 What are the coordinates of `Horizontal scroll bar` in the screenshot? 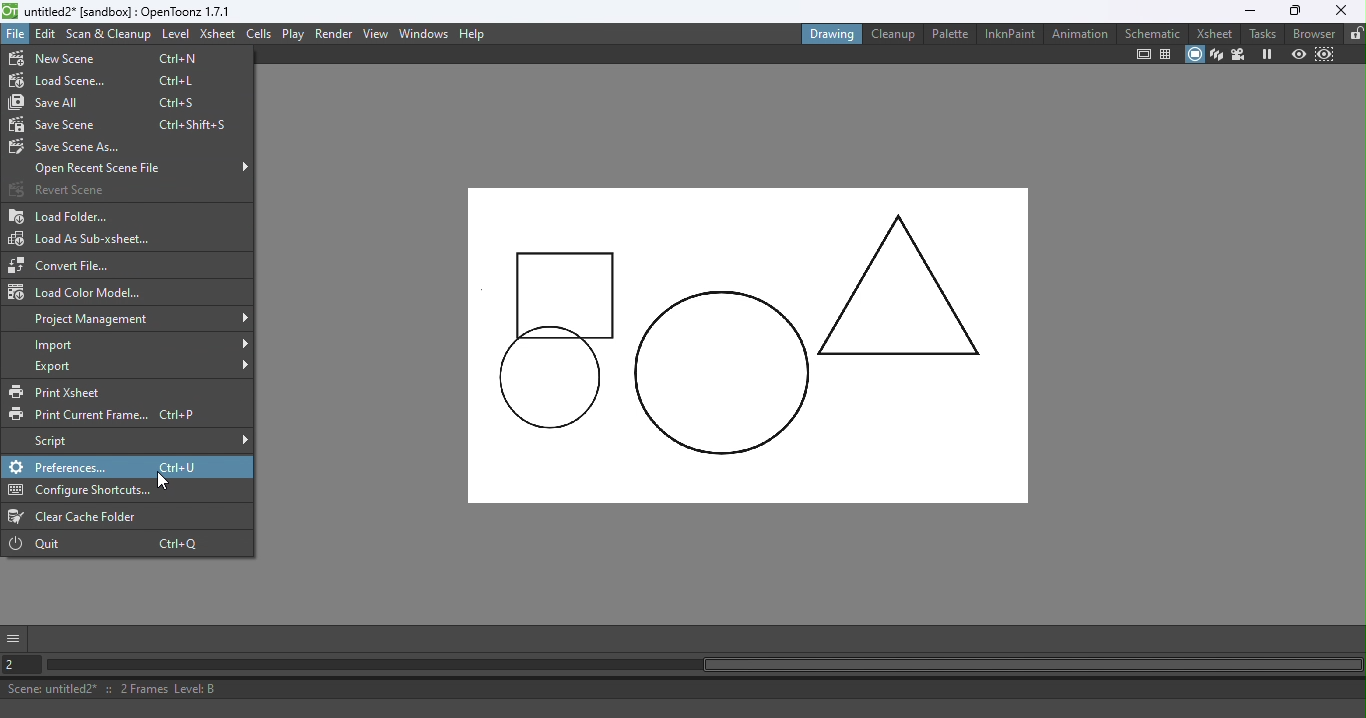 It's located at (699, 666).